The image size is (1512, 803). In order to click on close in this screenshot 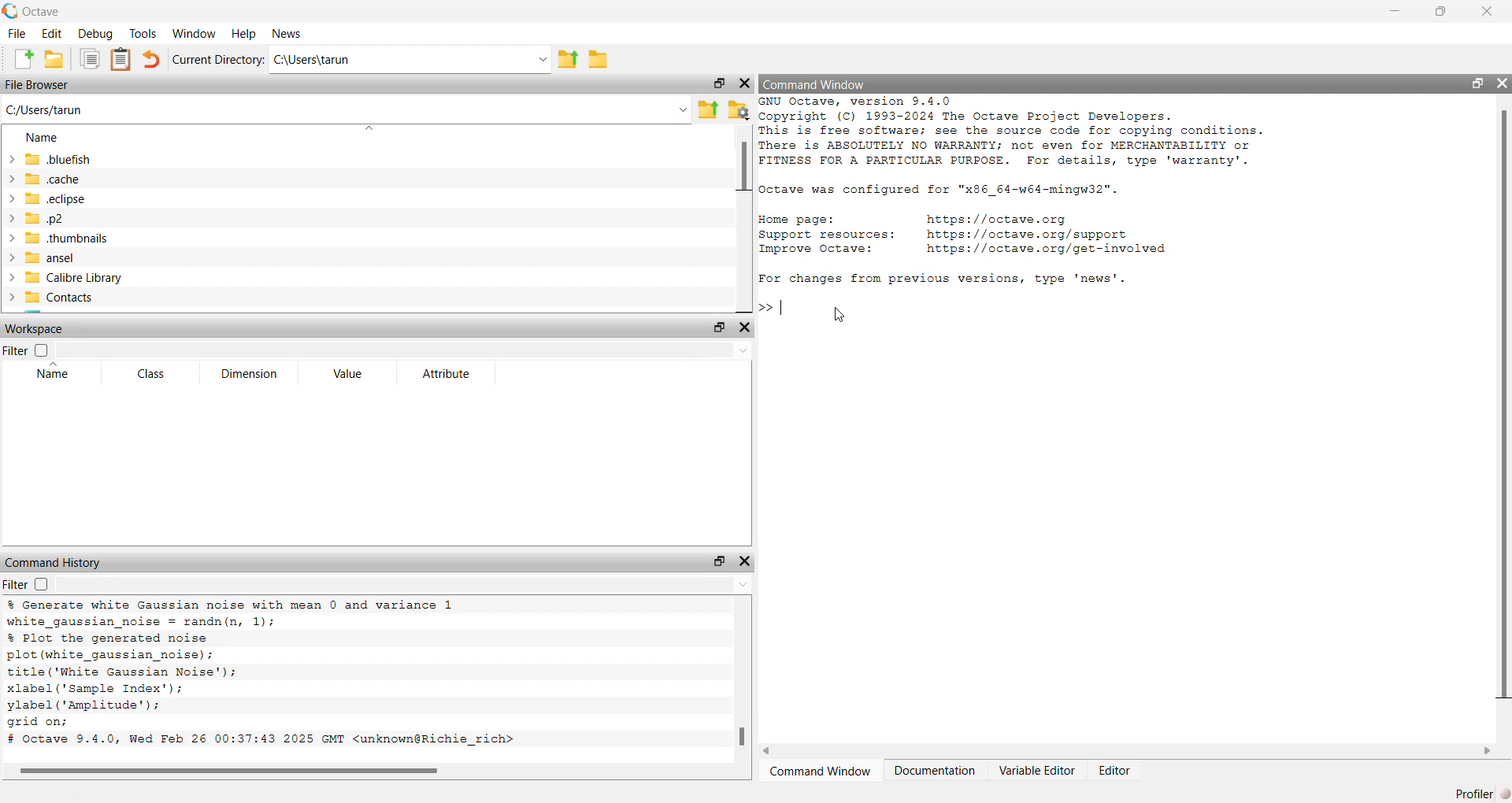, I will do `click(1484, 12)`.